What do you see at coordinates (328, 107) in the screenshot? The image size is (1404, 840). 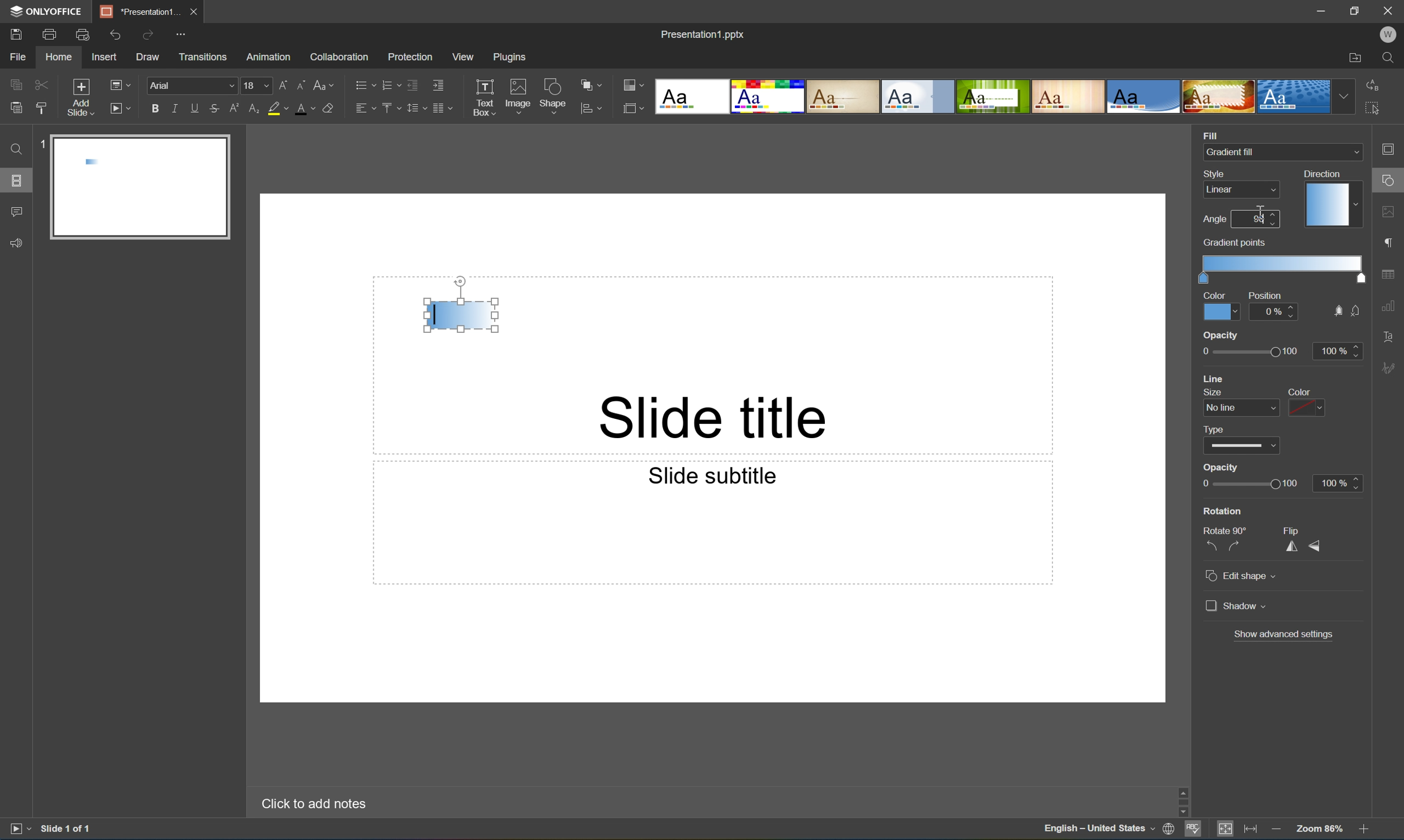 I see `Clear style` at bounding box center [328, 107].